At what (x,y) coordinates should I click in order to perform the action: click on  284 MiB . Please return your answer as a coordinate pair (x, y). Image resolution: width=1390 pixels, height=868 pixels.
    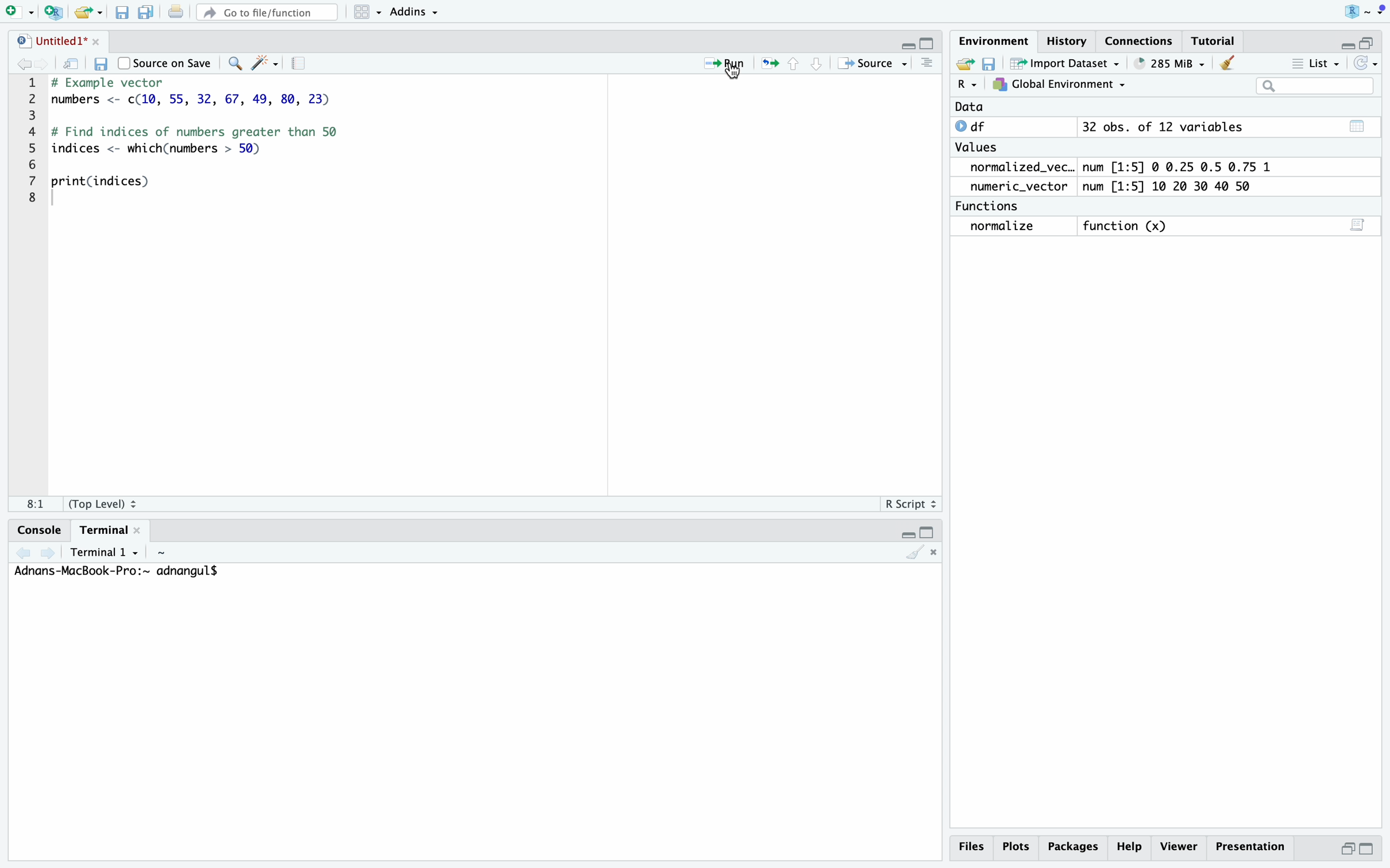
    Looking at the image, I should click on (1166, 64).